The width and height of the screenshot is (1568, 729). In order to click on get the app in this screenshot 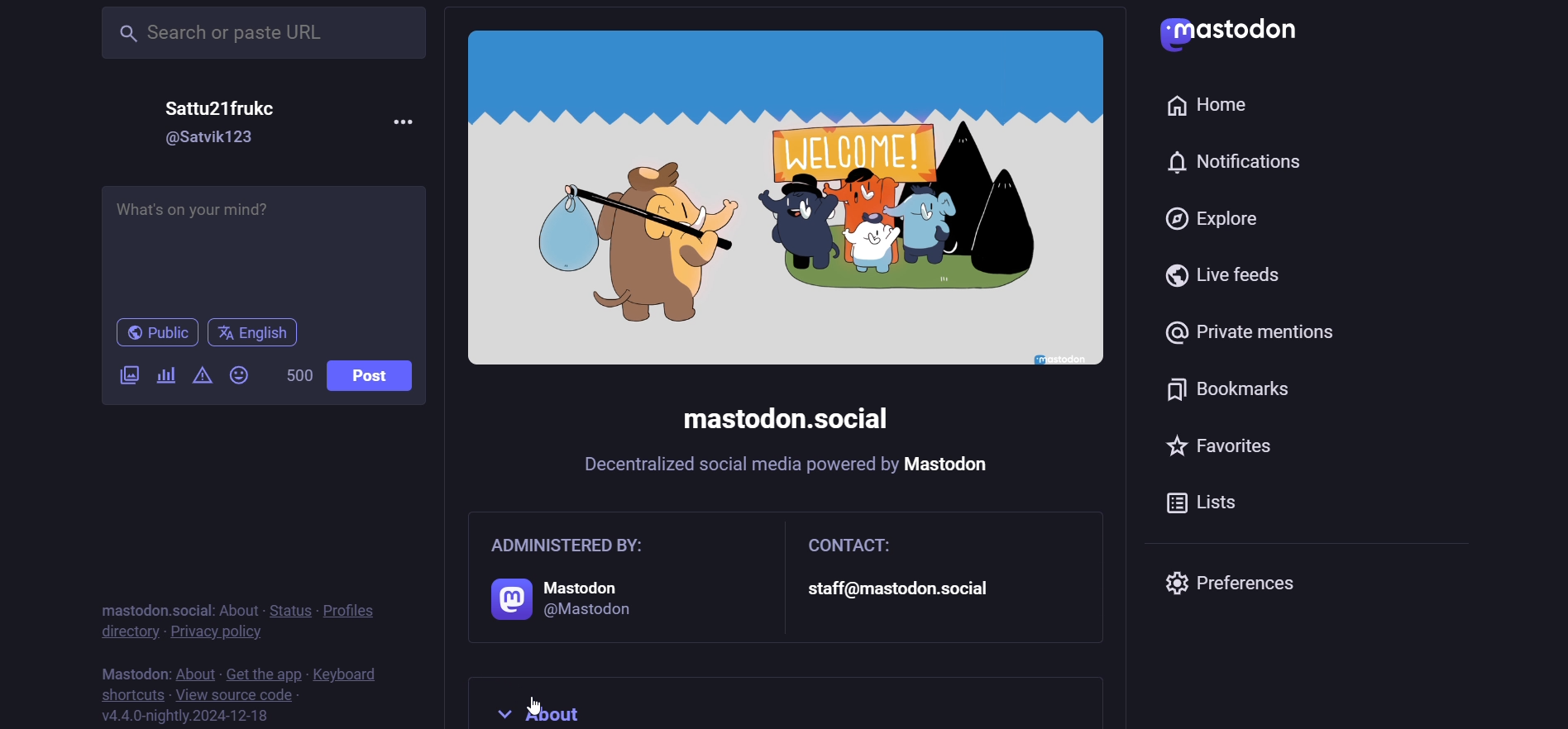, I will do `click(264, 671)`.